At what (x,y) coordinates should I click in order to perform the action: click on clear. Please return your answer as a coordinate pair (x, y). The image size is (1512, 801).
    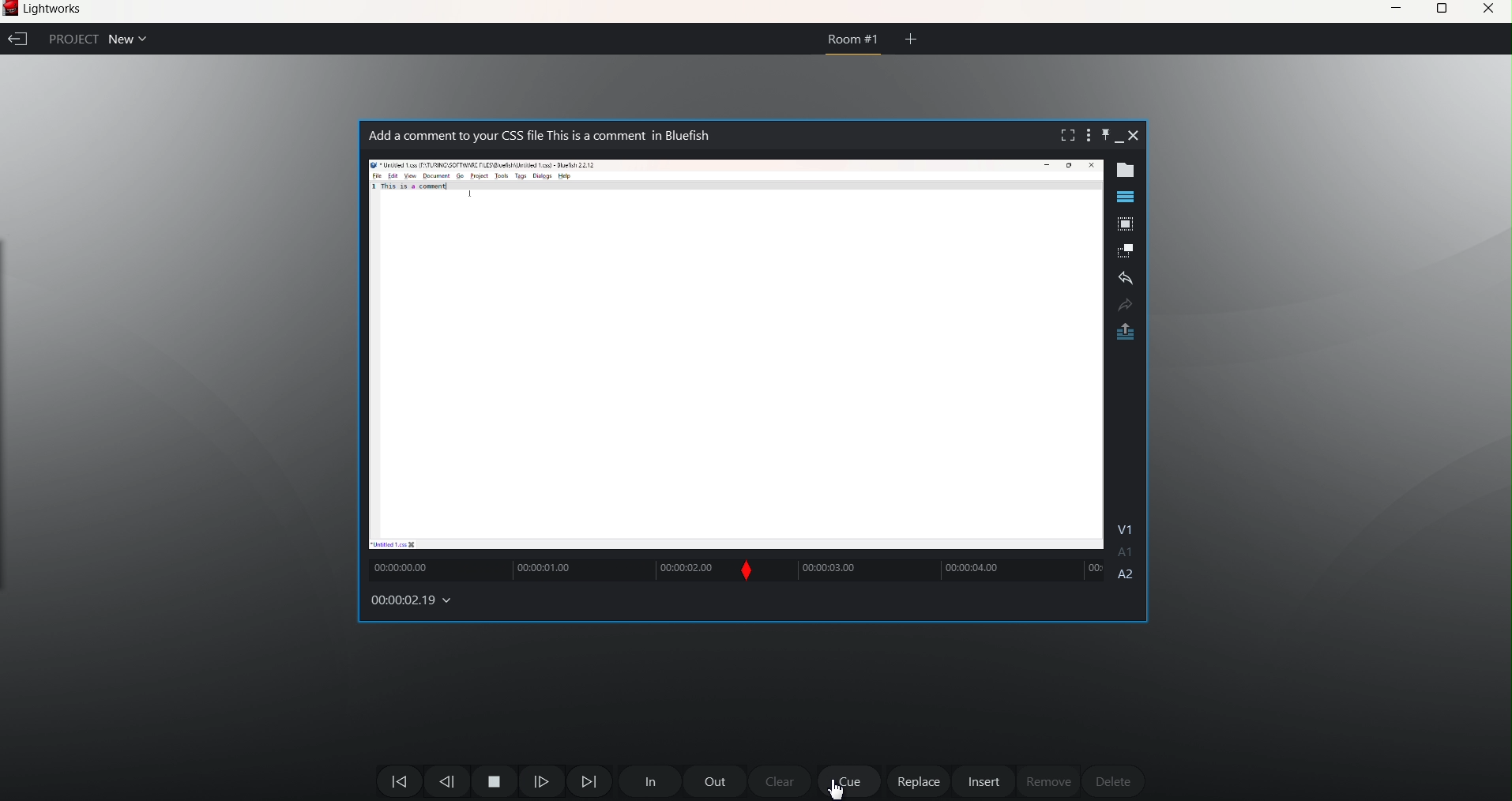
    Looking at the image, I should click on (782, 782).